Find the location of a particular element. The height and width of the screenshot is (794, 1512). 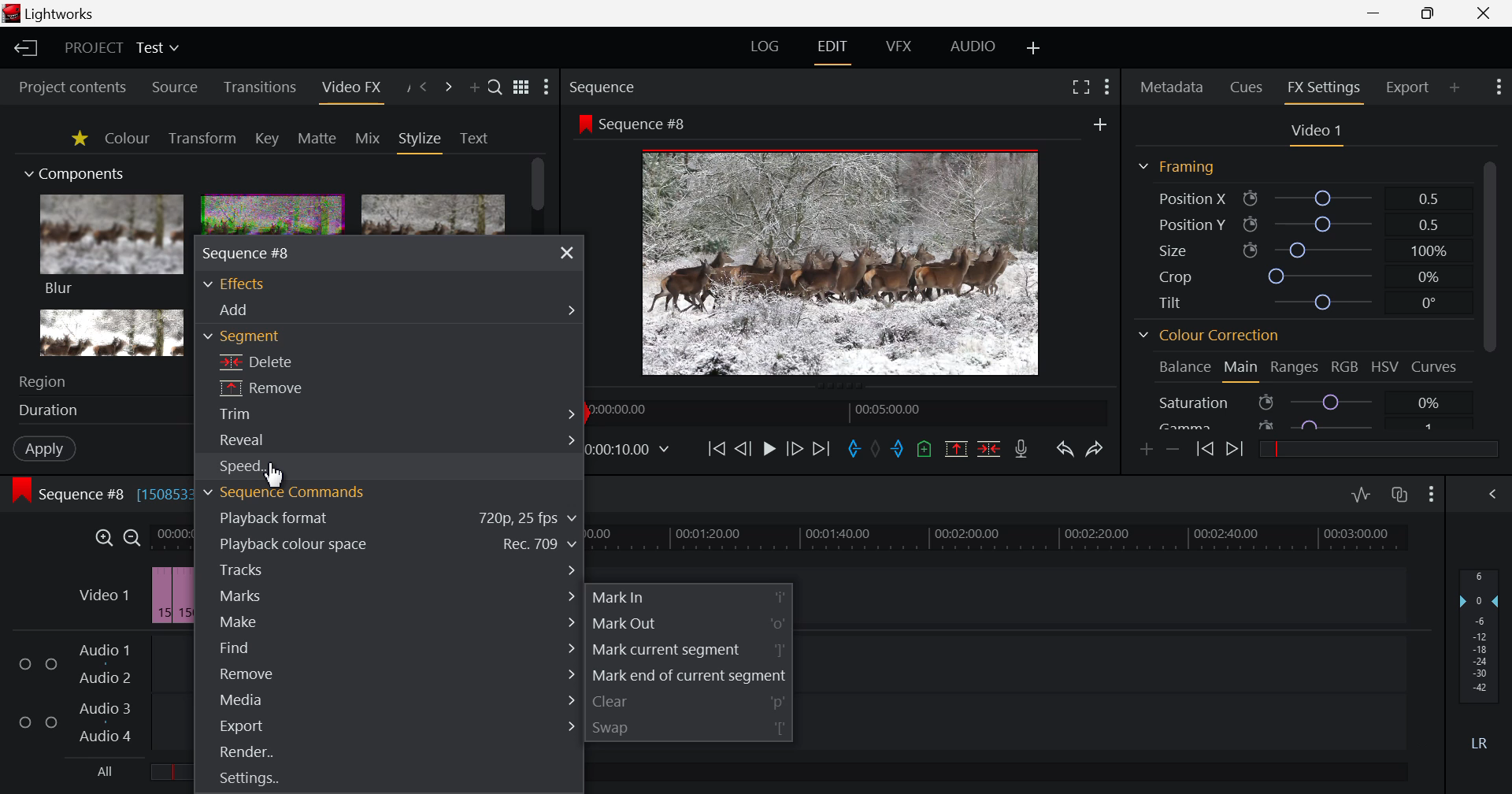

Crop is located at coordinates (1299, 275).